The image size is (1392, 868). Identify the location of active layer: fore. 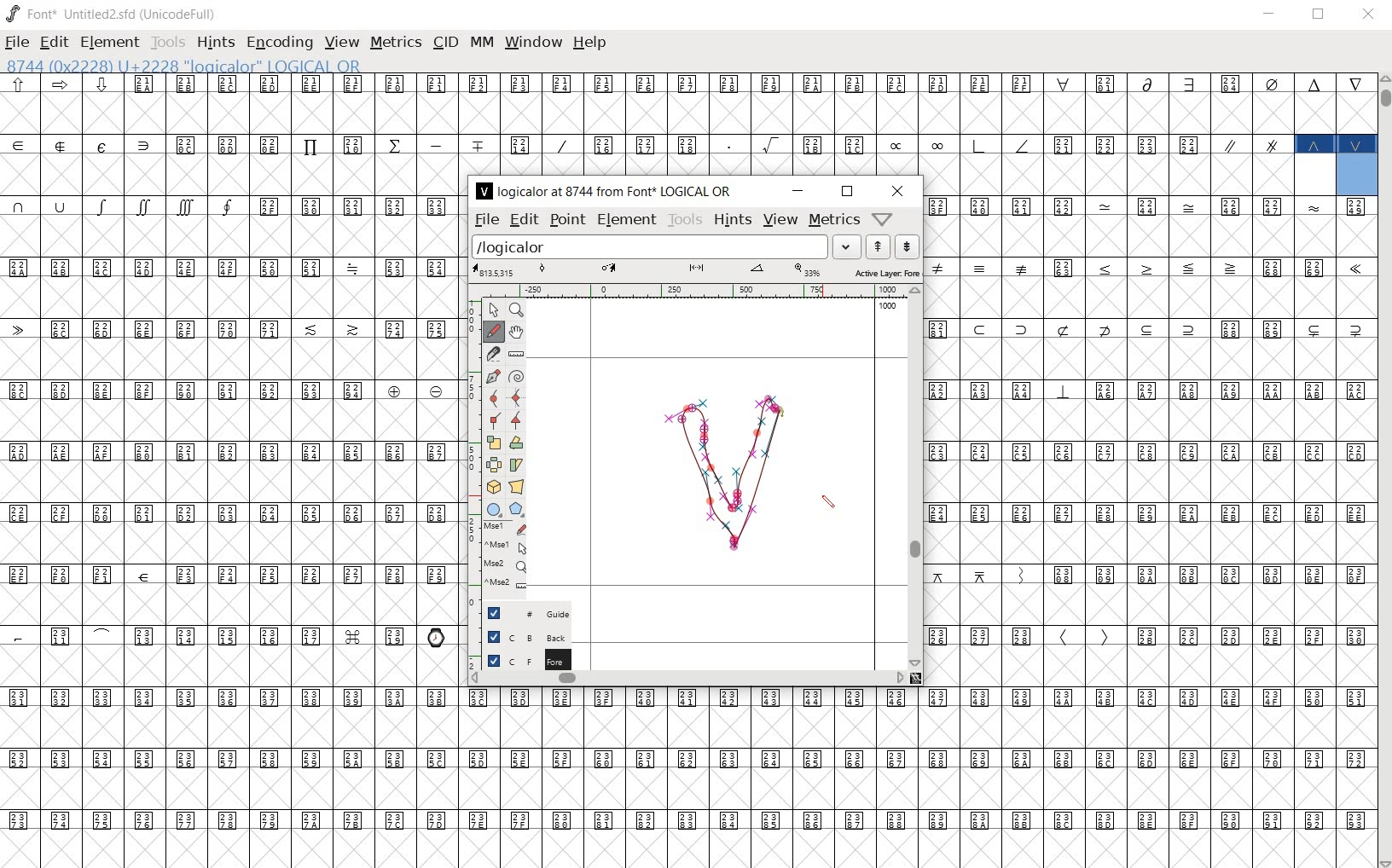
(693, 272).